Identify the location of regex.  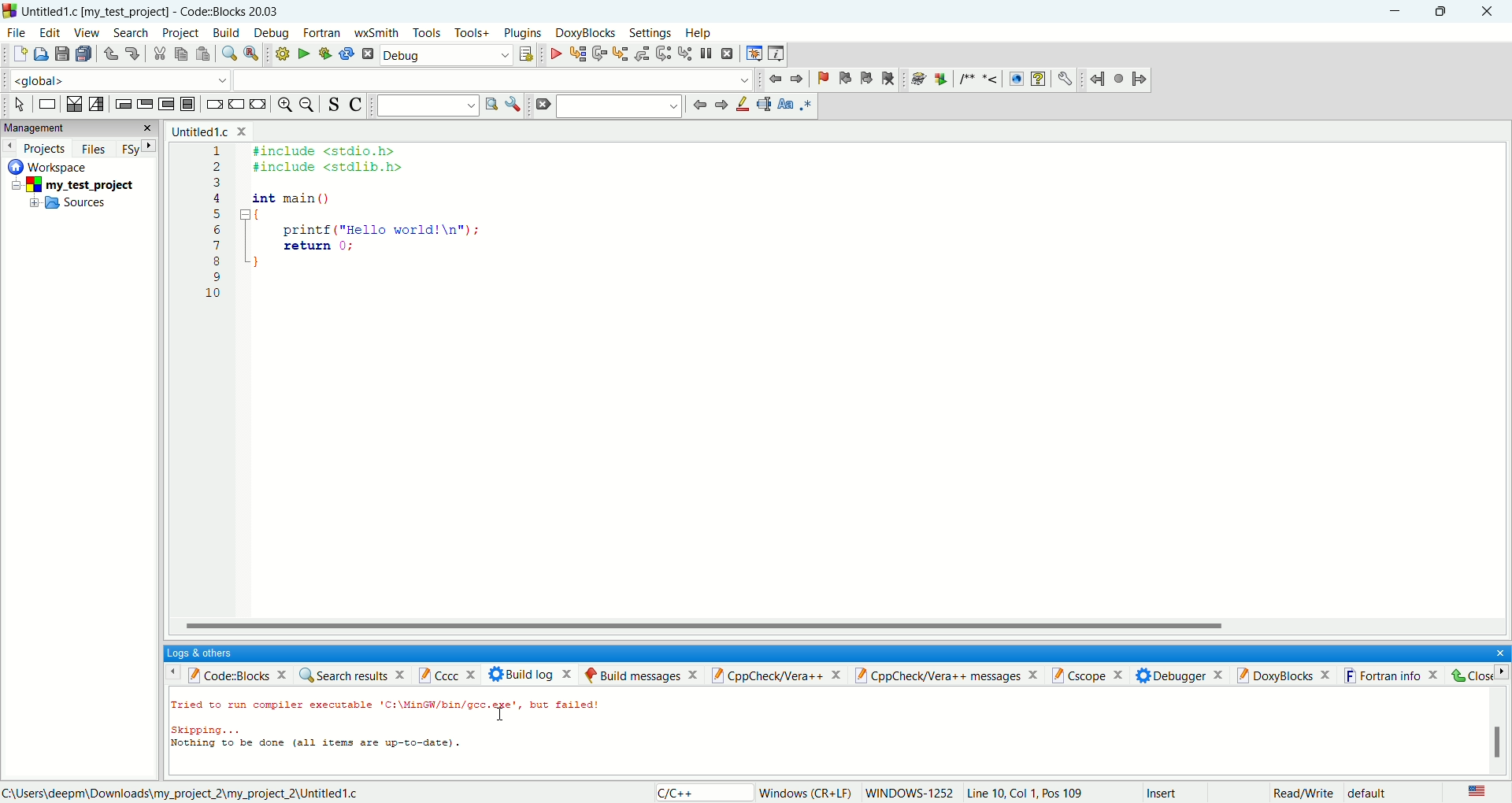
(807, 104).